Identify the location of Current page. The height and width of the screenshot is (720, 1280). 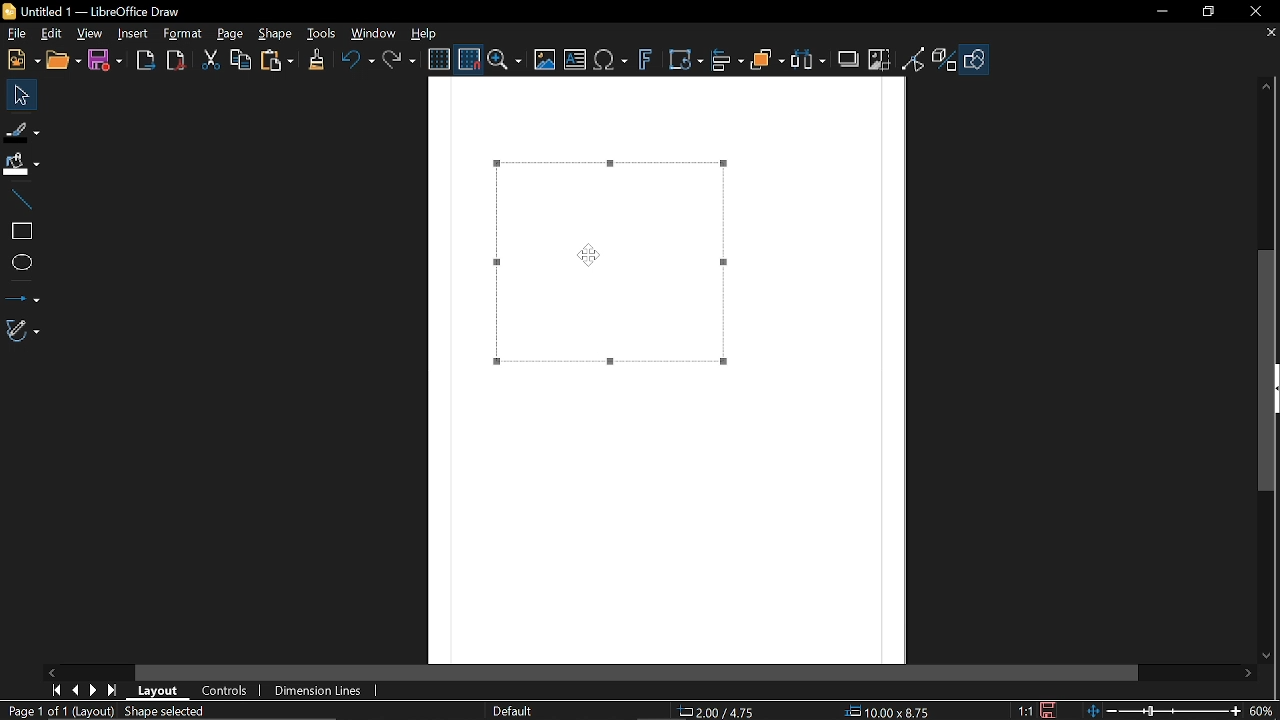
(58, 711).